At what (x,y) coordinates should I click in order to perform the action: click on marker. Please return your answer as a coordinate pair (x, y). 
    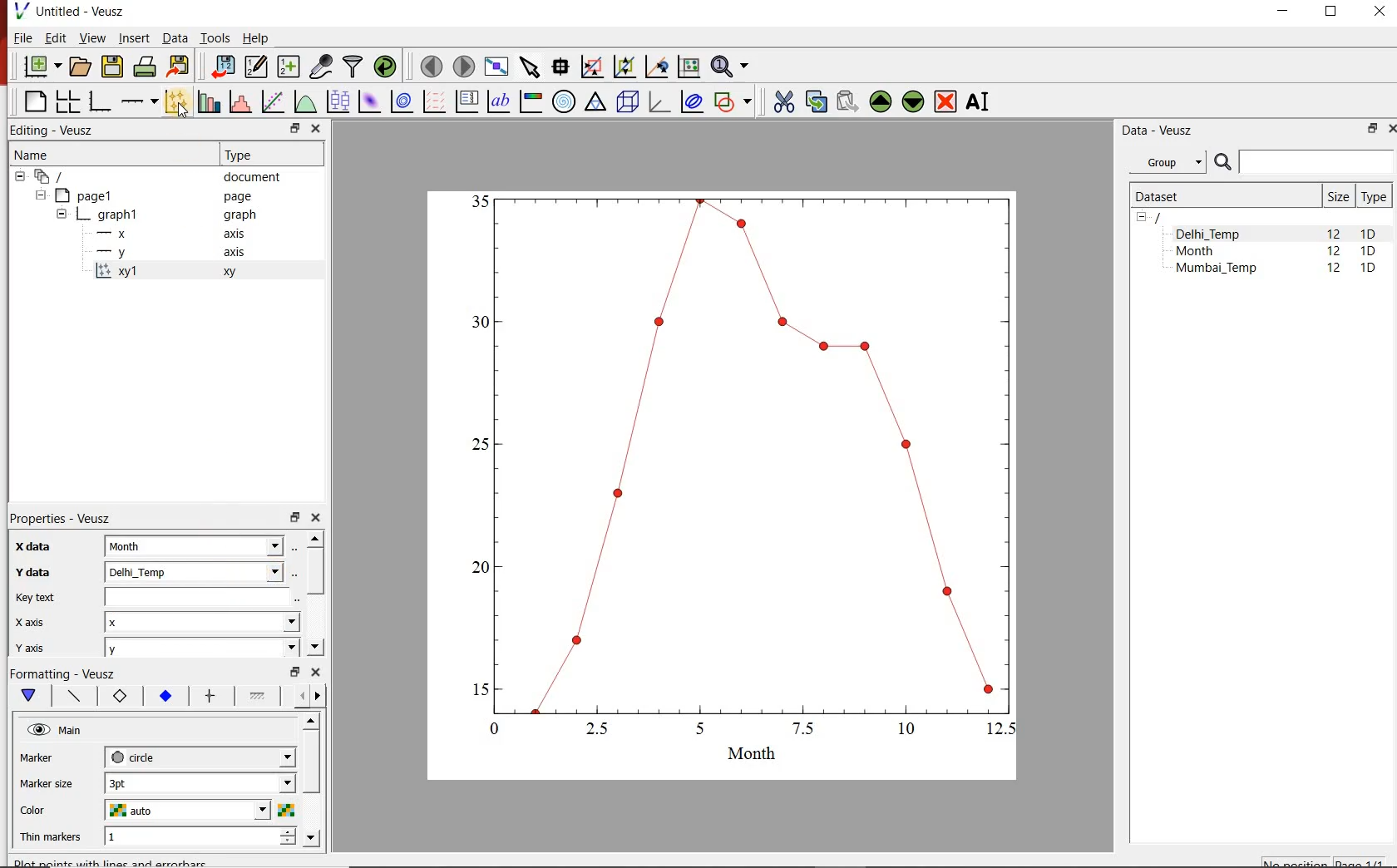
    Looking at the image, I should click on (49, 757).